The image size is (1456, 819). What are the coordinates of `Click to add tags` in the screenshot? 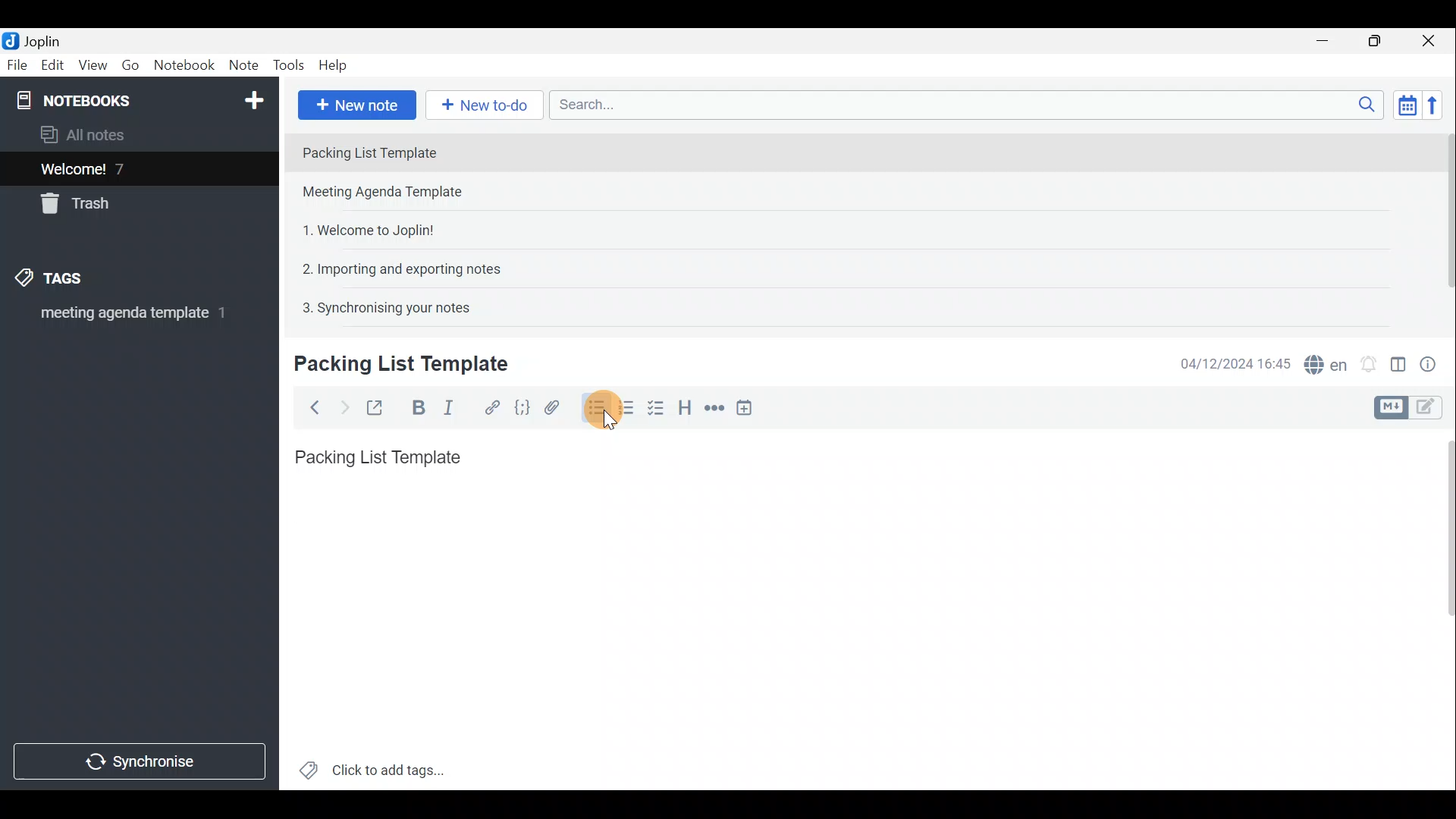 It's located at (372, 766).